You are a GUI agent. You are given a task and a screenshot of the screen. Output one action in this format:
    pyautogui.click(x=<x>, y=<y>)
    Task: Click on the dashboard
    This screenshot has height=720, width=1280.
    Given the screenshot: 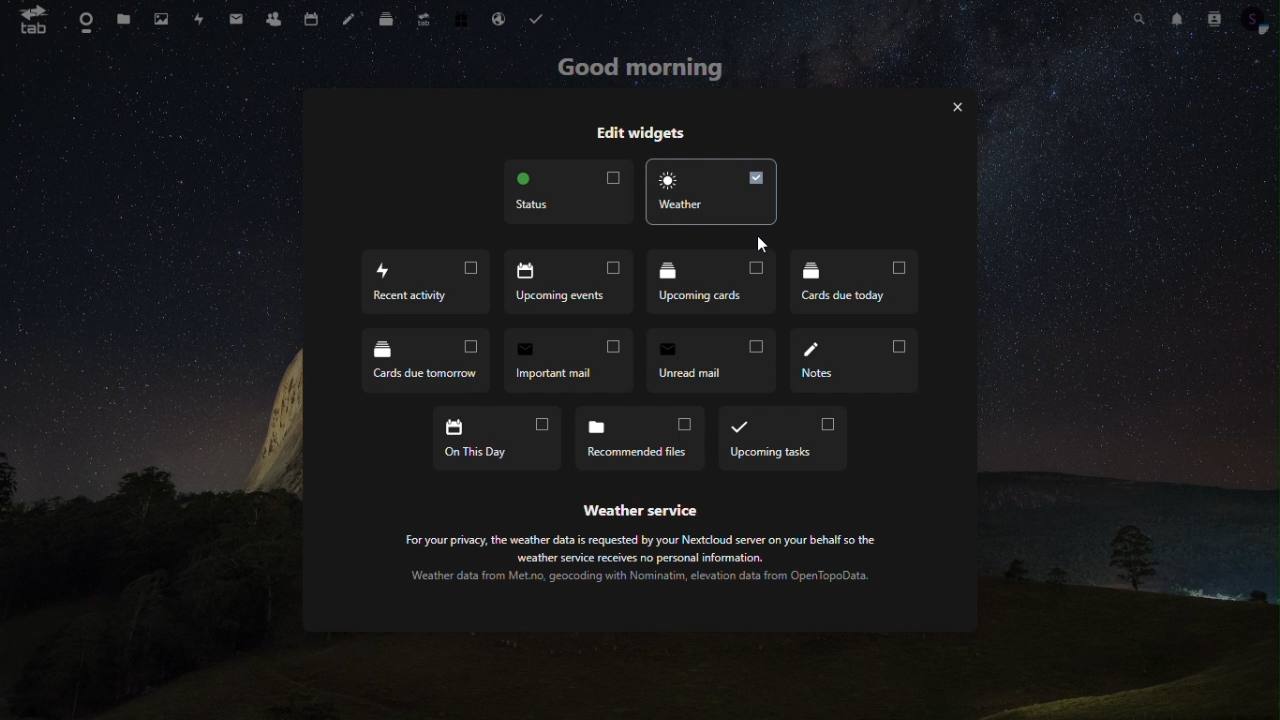 What is the action you would take?
    pyautogui.click(x=85, y=22)
    